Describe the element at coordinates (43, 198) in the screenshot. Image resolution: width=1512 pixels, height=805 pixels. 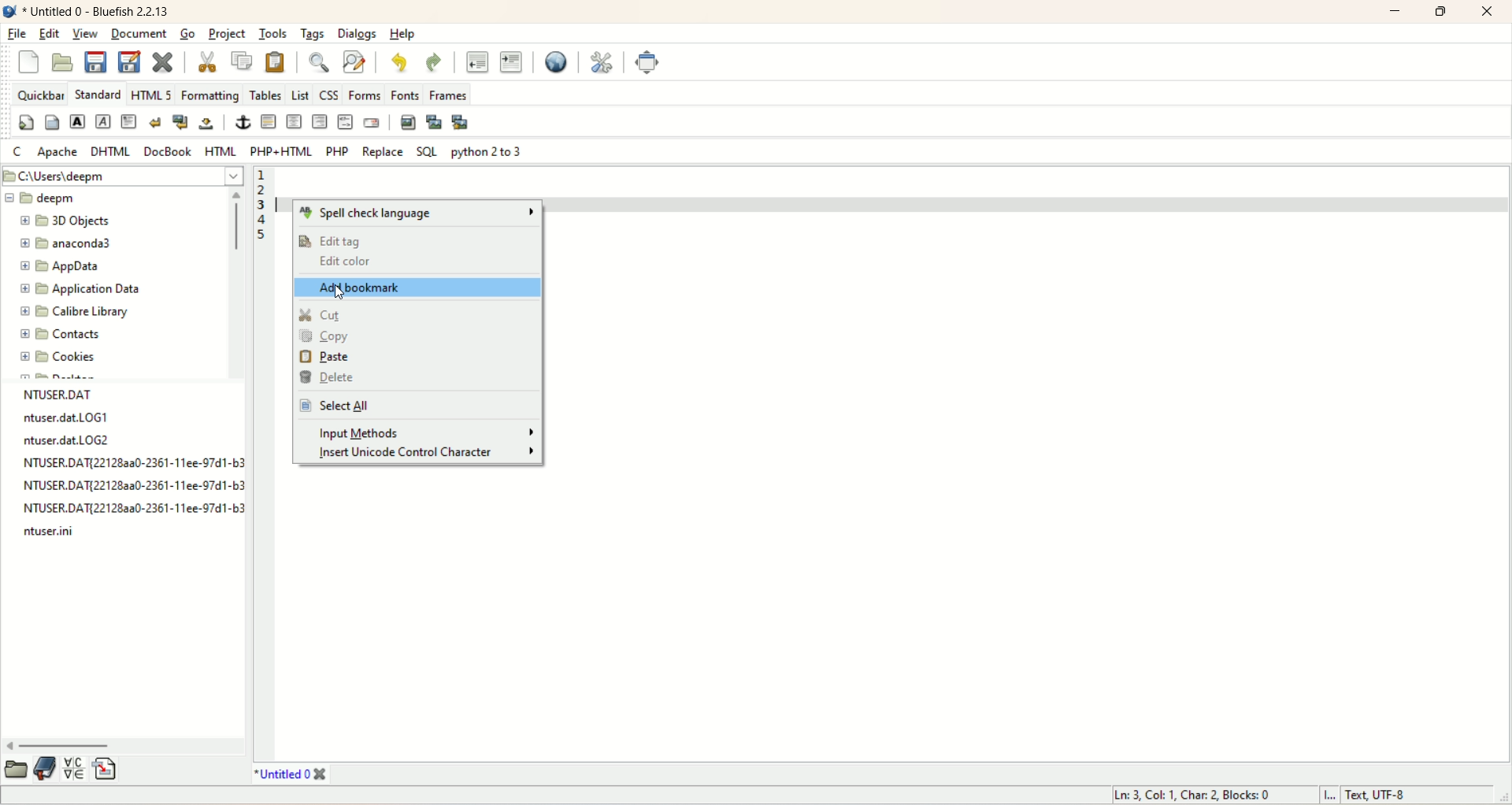
I see `deepm` at that location.